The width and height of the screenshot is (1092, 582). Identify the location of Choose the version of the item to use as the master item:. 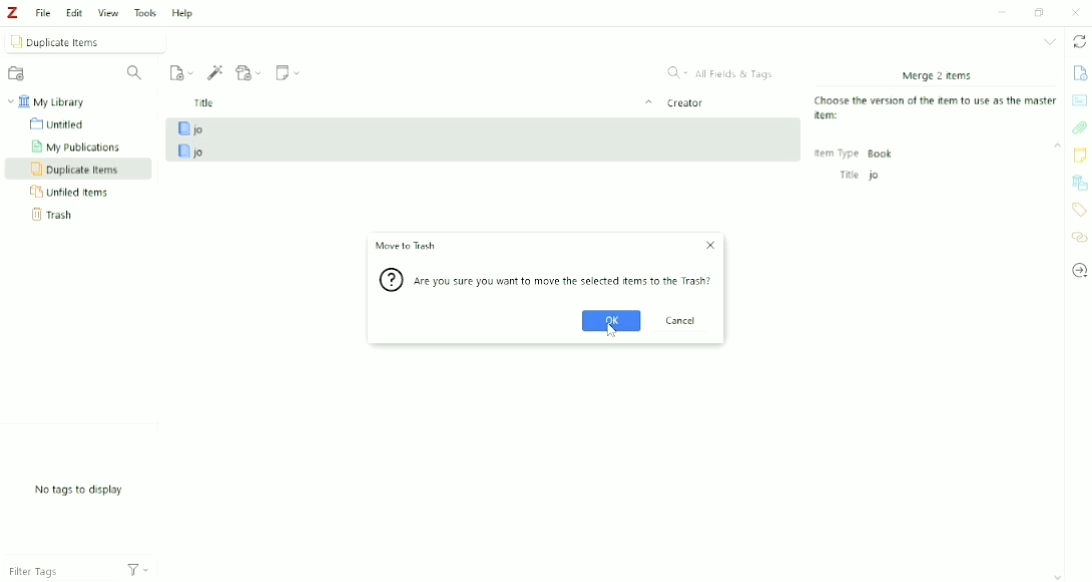
(938, 109).